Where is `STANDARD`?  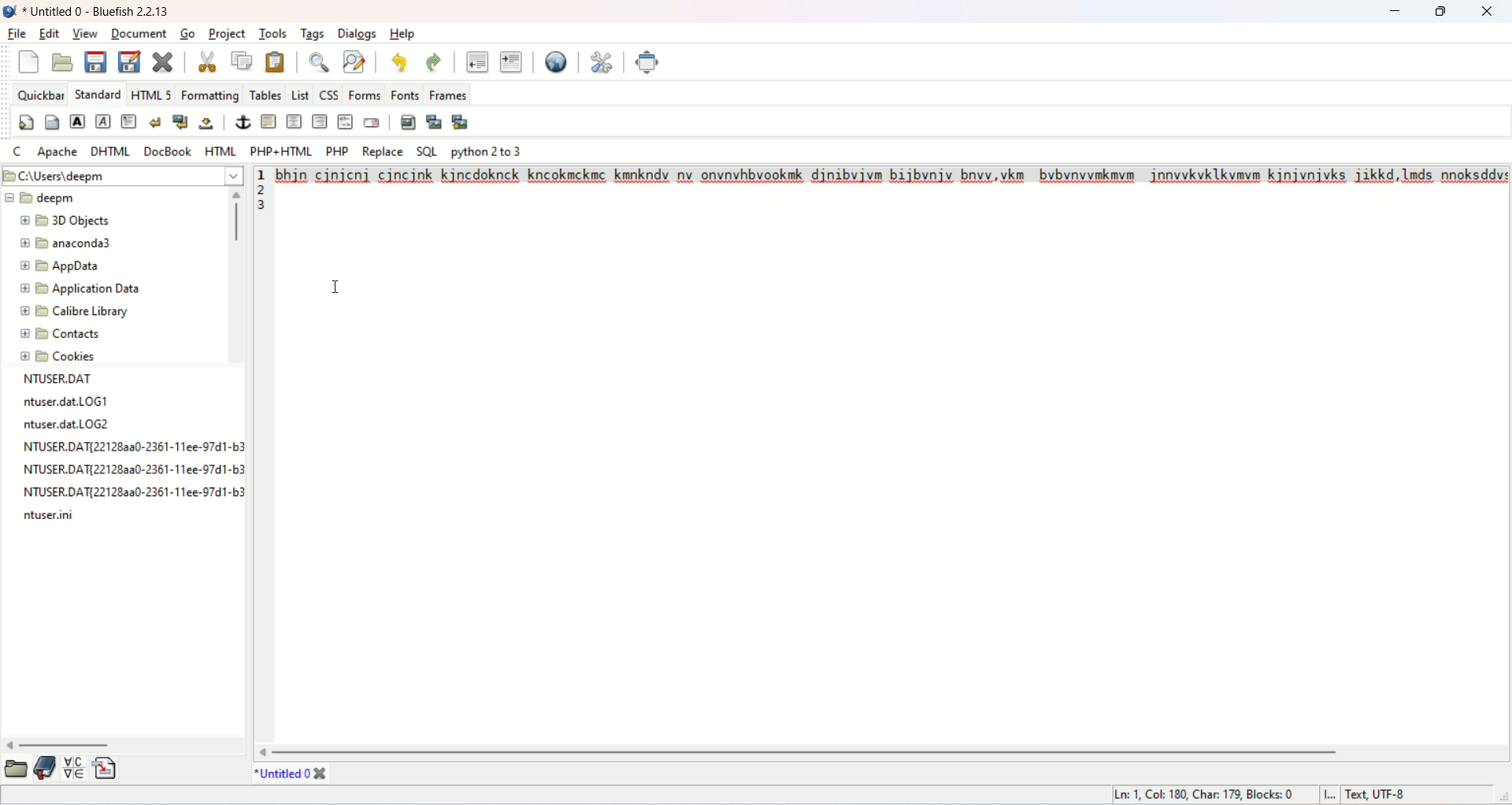 STANDARD is located at coordinates (98, 96).